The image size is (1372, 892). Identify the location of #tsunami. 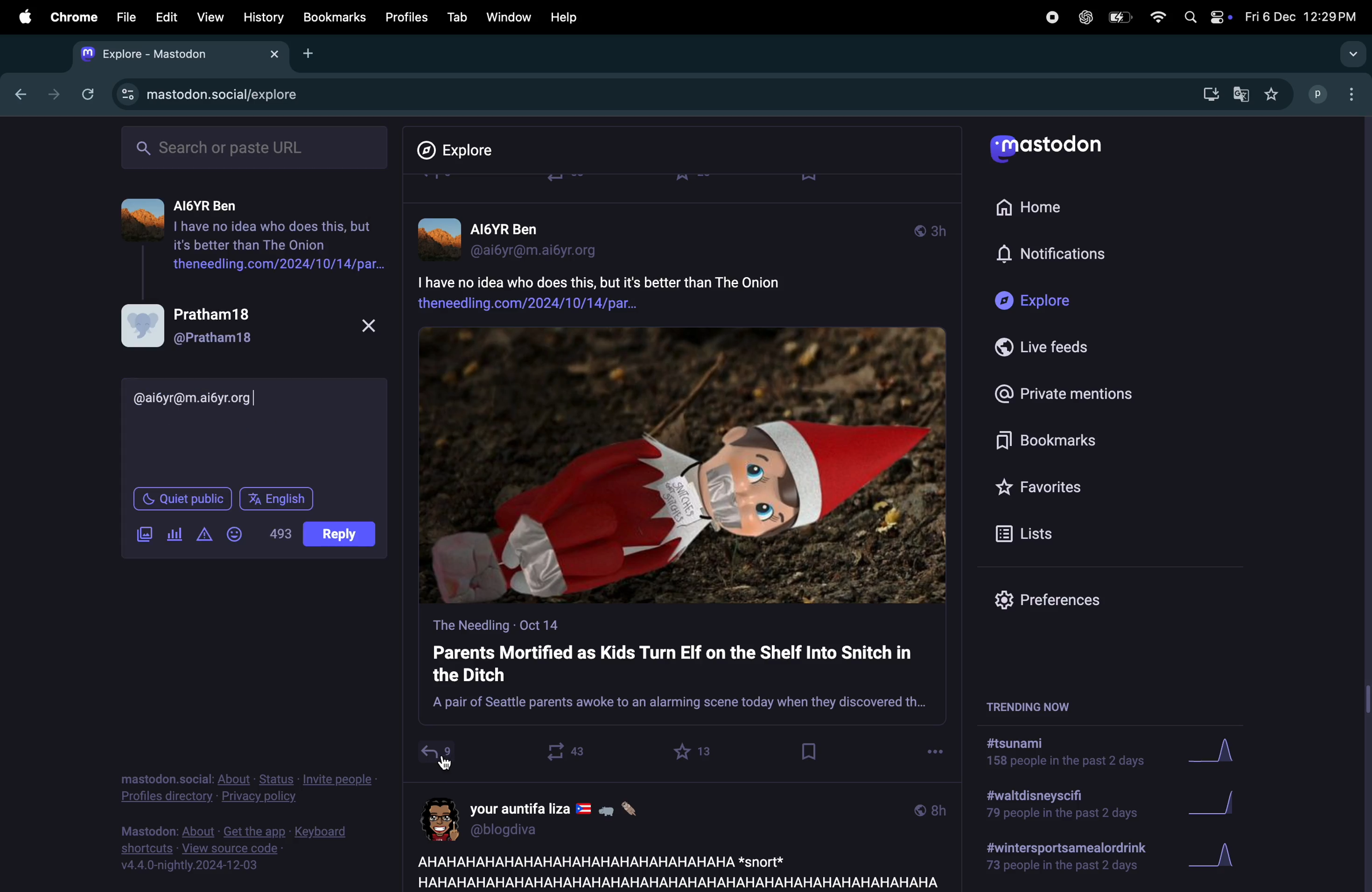
(1072, 755).